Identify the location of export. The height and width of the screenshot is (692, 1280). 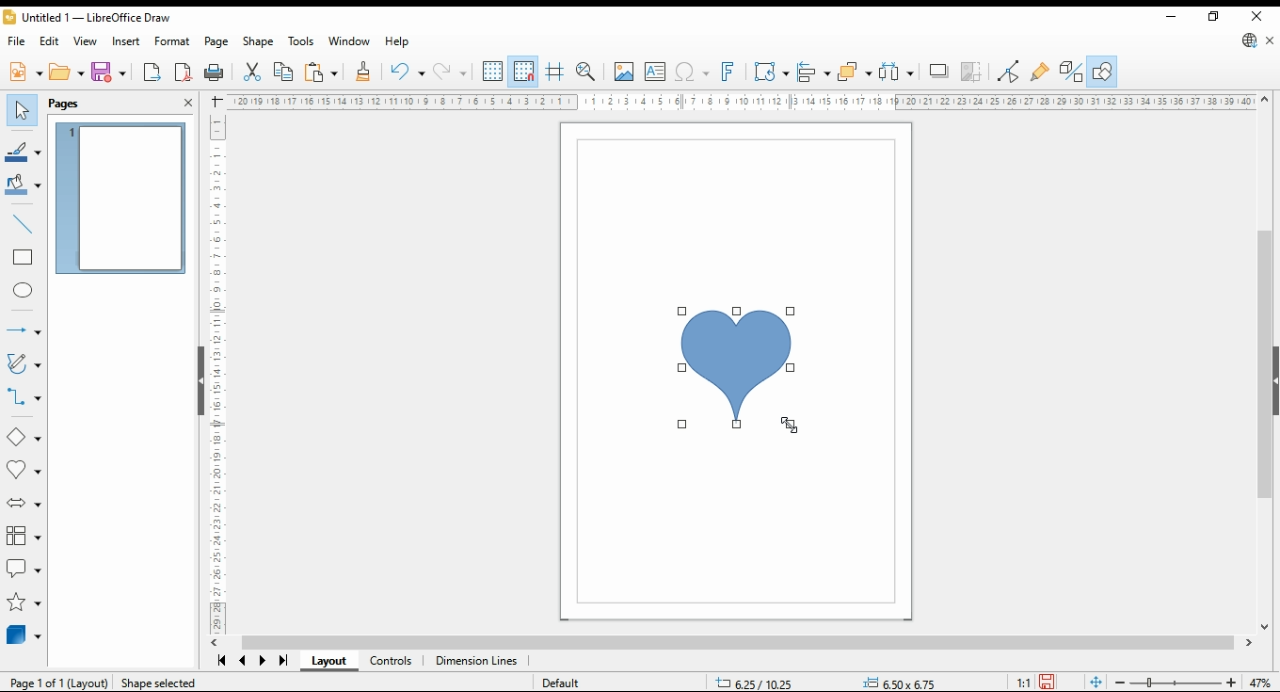
(153, 72).